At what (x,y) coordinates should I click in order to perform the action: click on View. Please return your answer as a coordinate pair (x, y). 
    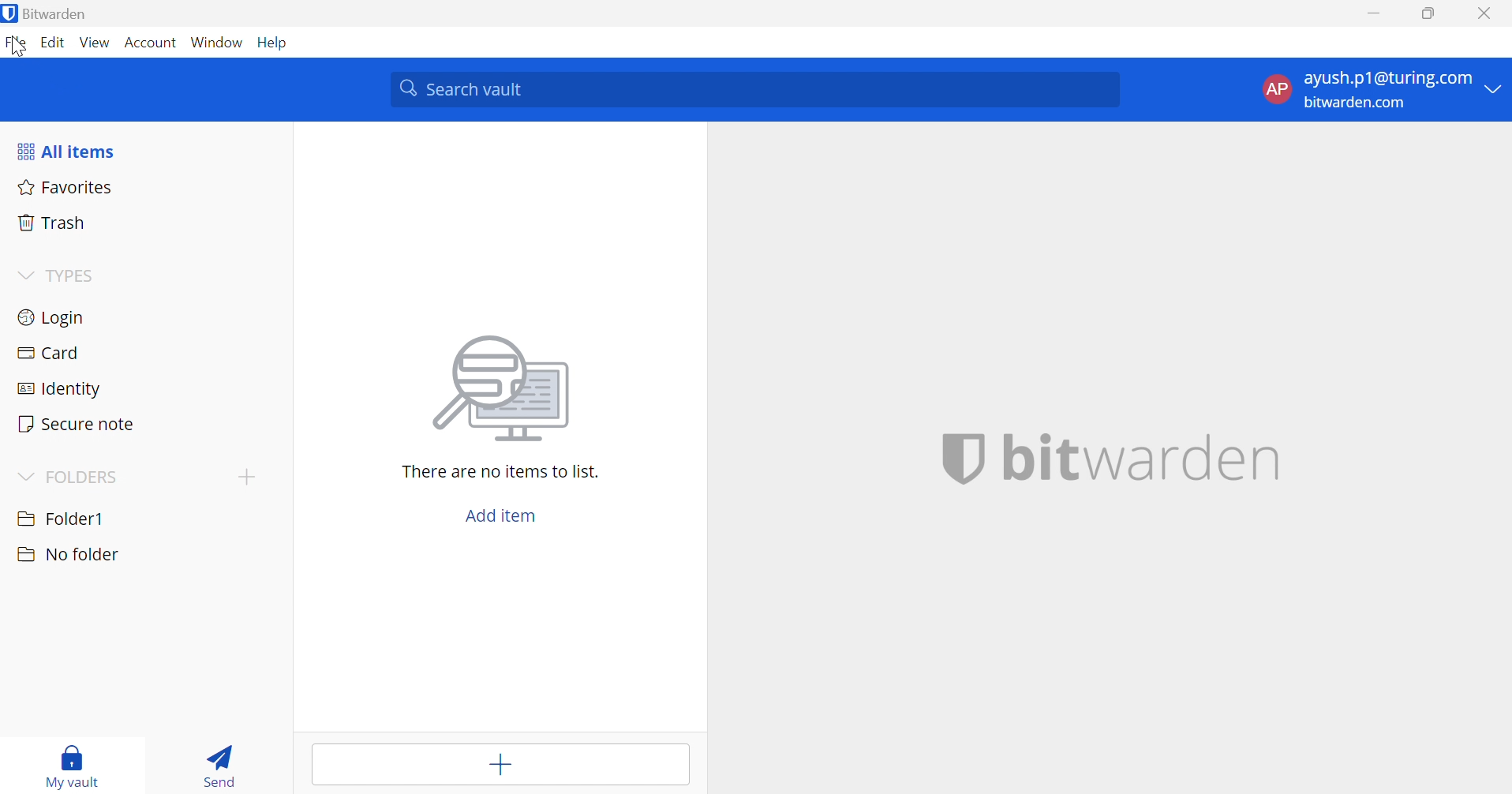
    Looking at the image, I should click on (97, 41).